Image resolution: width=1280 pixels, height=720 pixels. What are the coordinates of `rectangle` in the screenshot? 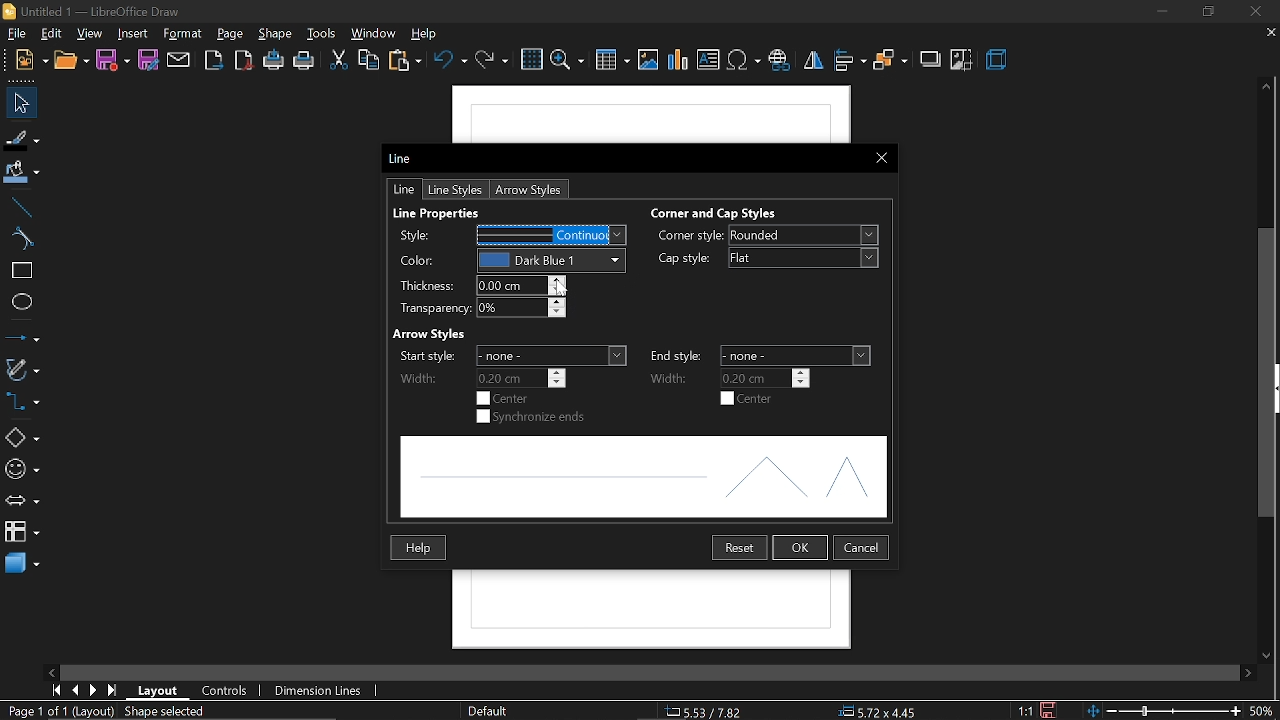 It's located at (23, 270).